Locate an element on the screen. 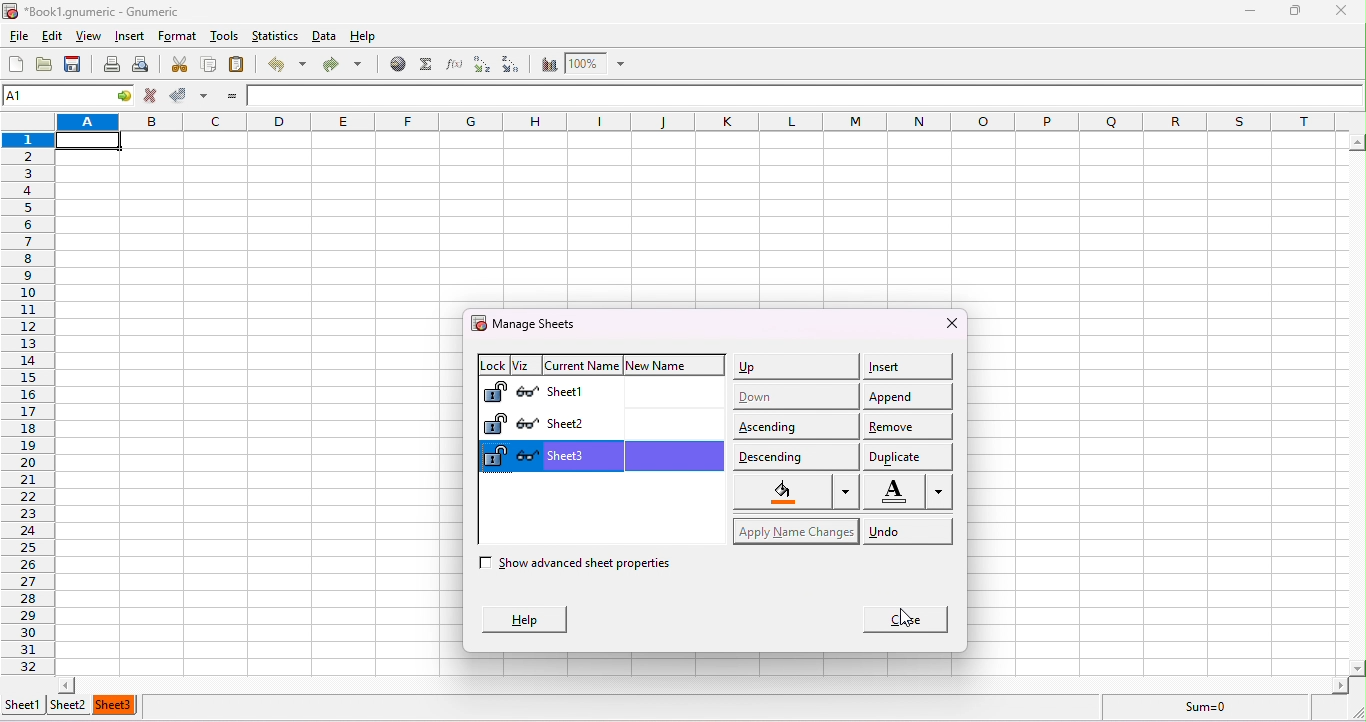 This screenshot has width=1366, height=722. data is located at coordinates (326, 32).